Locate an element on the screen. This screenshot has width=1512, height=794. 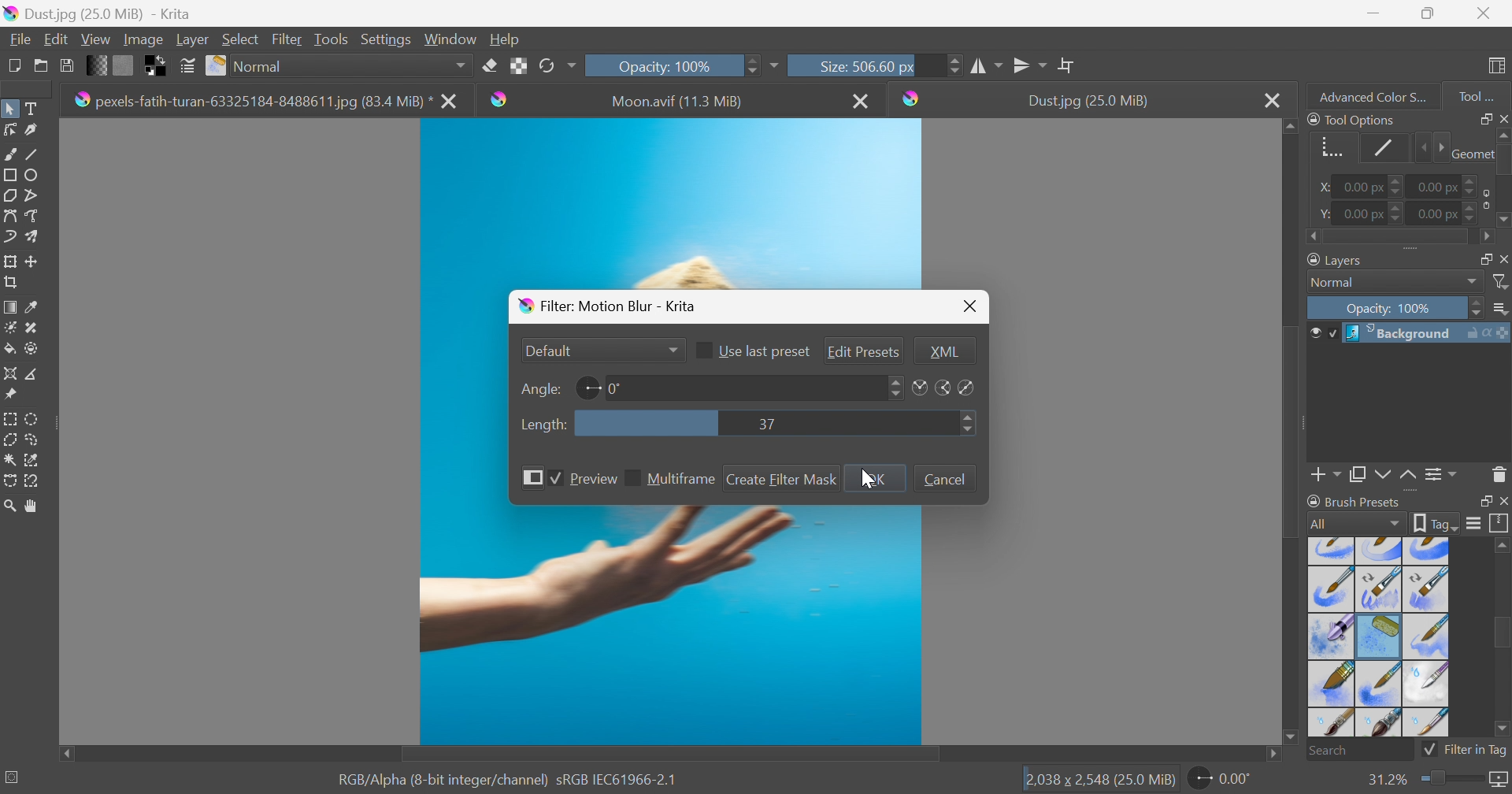
Drop Down is located at coordinates (672, 351).